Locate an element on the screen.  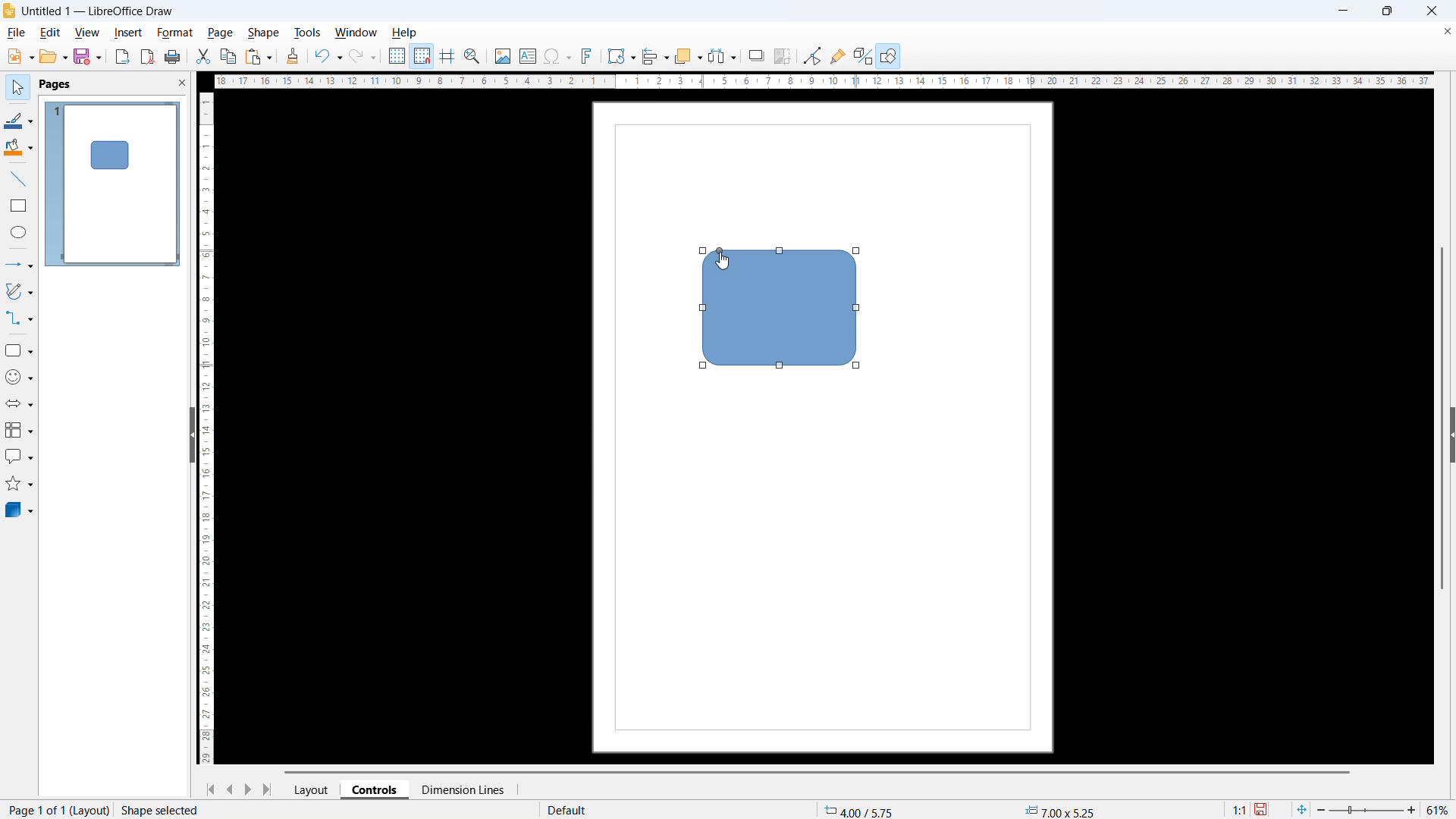
Controls  is located at coordinates (376, 789).